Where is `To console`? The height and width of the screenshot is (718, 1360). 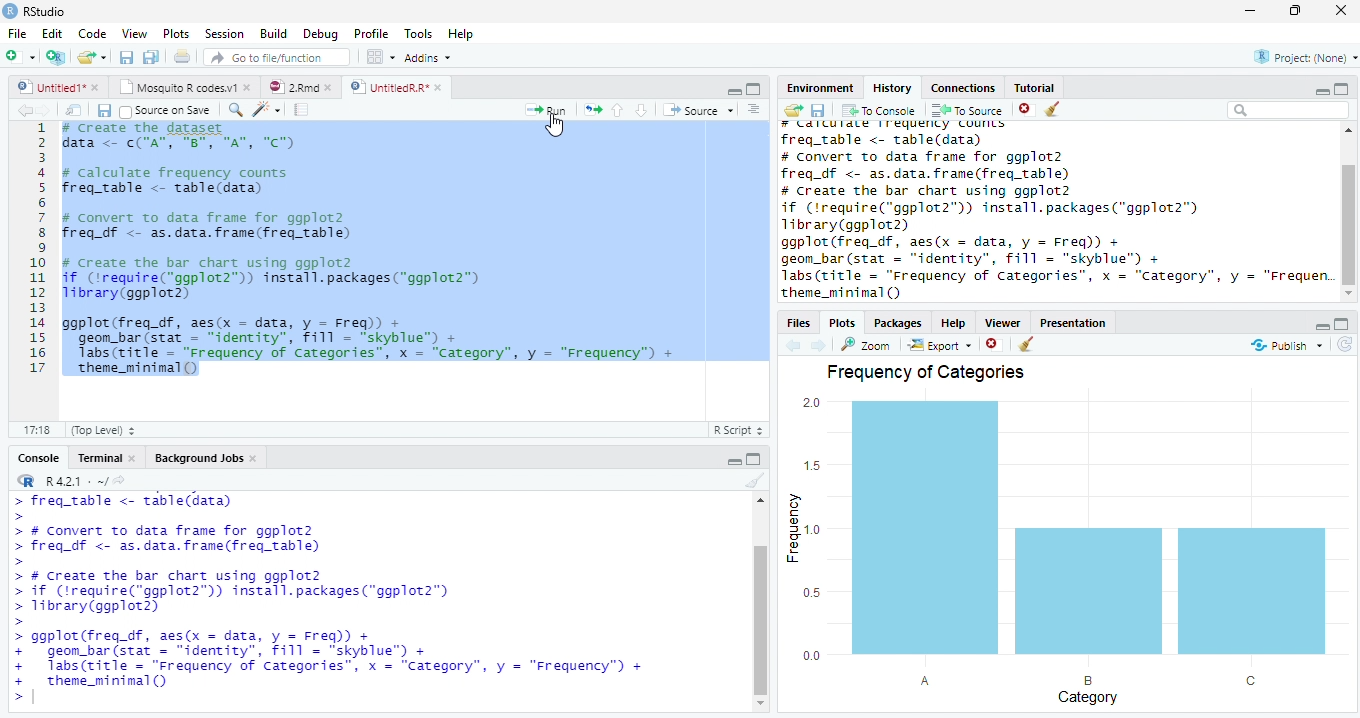 To console is located at coordinates (879, 111).